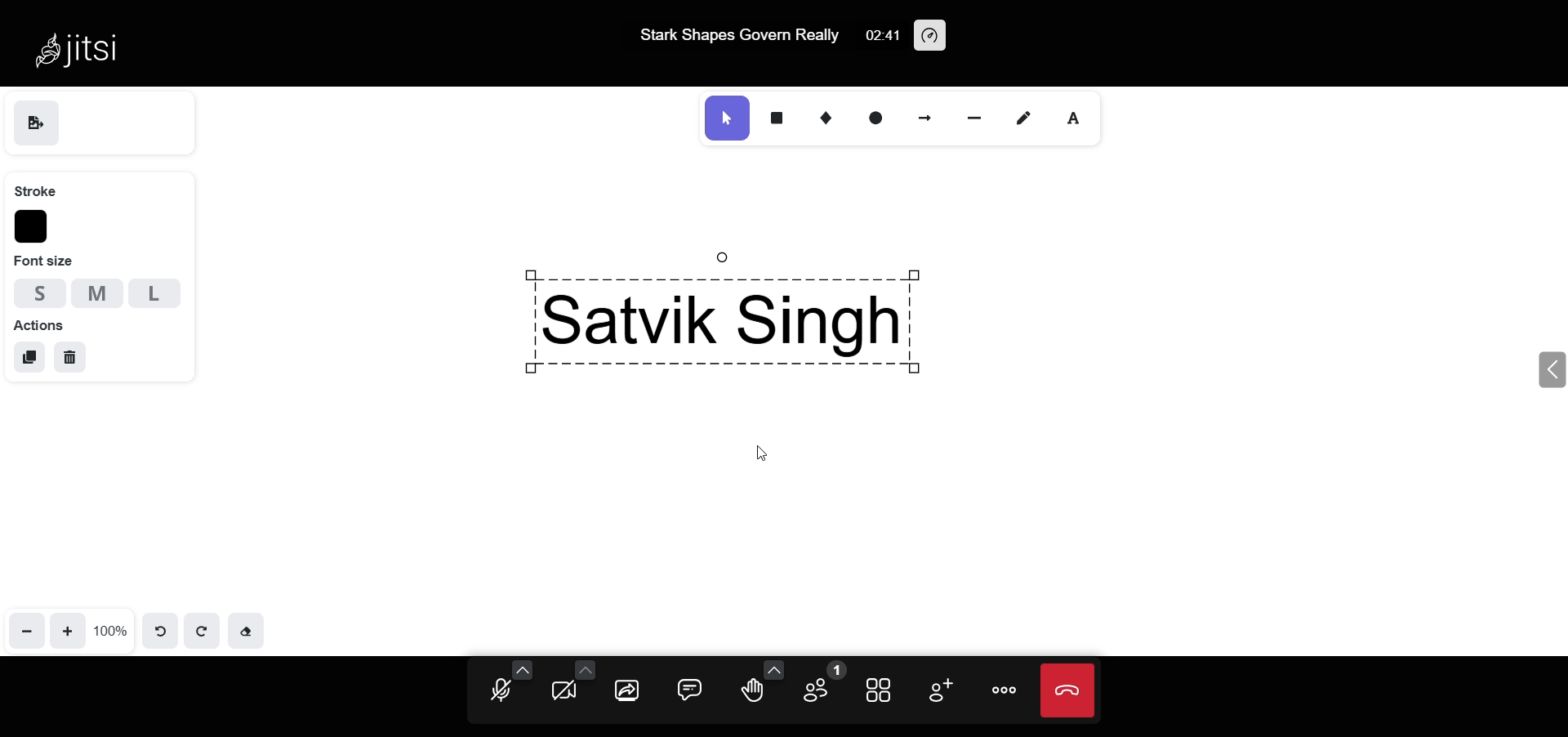  Describe the element at coordinates (936, 689) in the screenshot. I see `invite people` at that location.